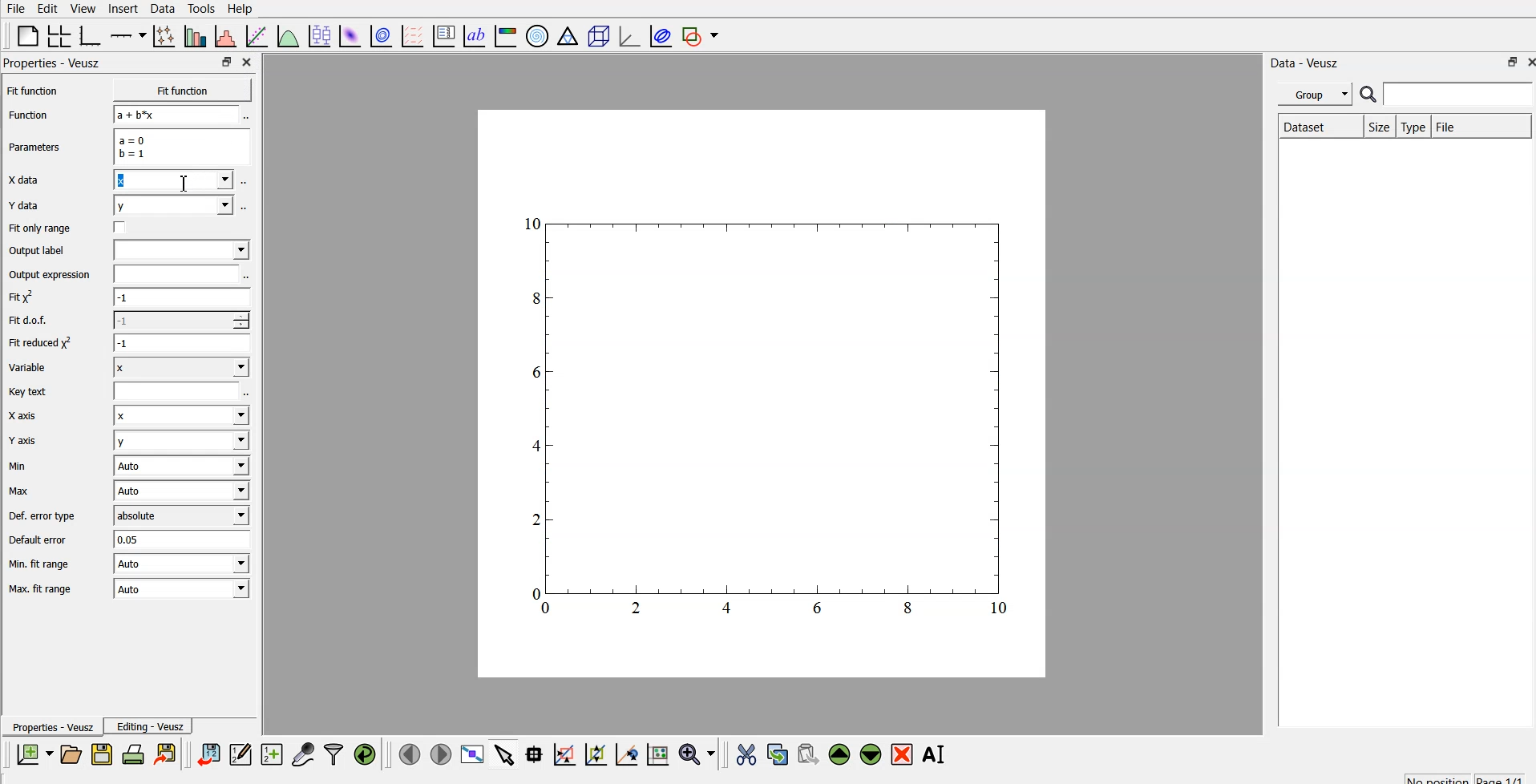 The height and width of the screenshot is (784, 1536). I want to click on plot bar charts, so click(195, 36).